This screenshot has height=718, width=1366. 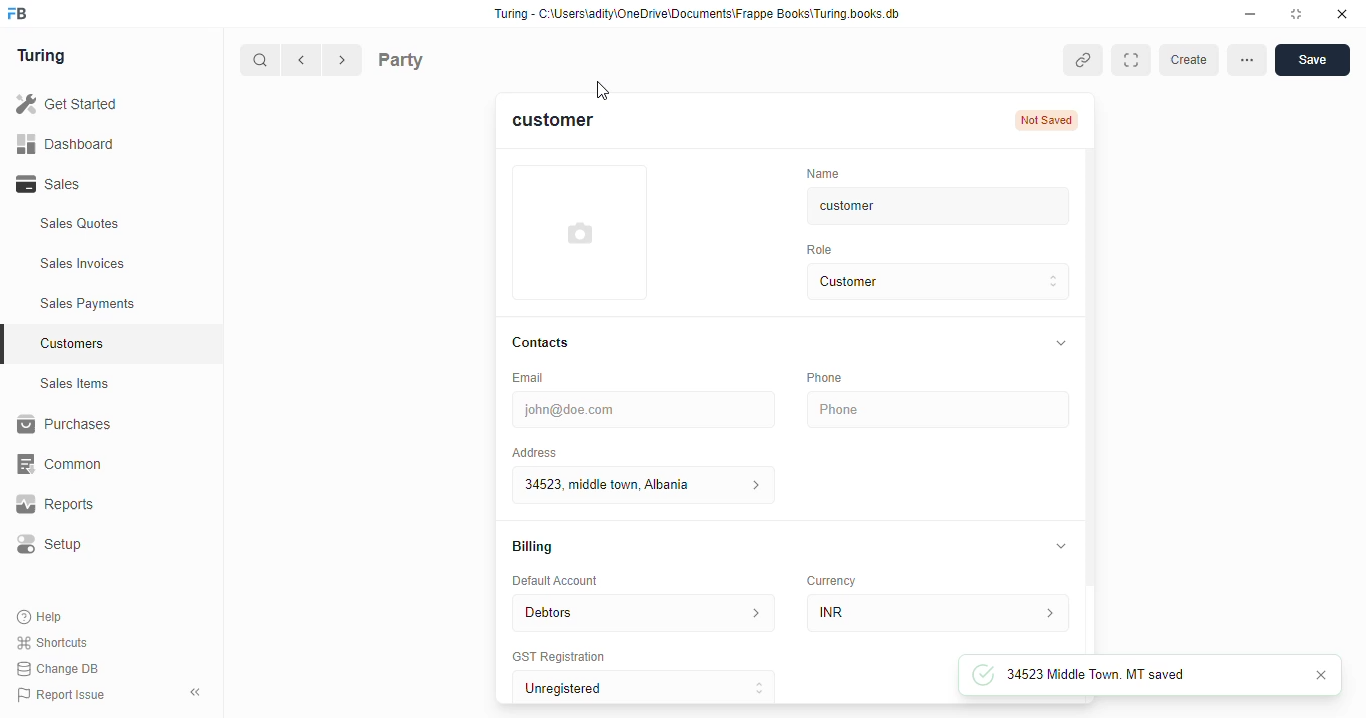 I want to click on go back, so click(x=305, y=61).